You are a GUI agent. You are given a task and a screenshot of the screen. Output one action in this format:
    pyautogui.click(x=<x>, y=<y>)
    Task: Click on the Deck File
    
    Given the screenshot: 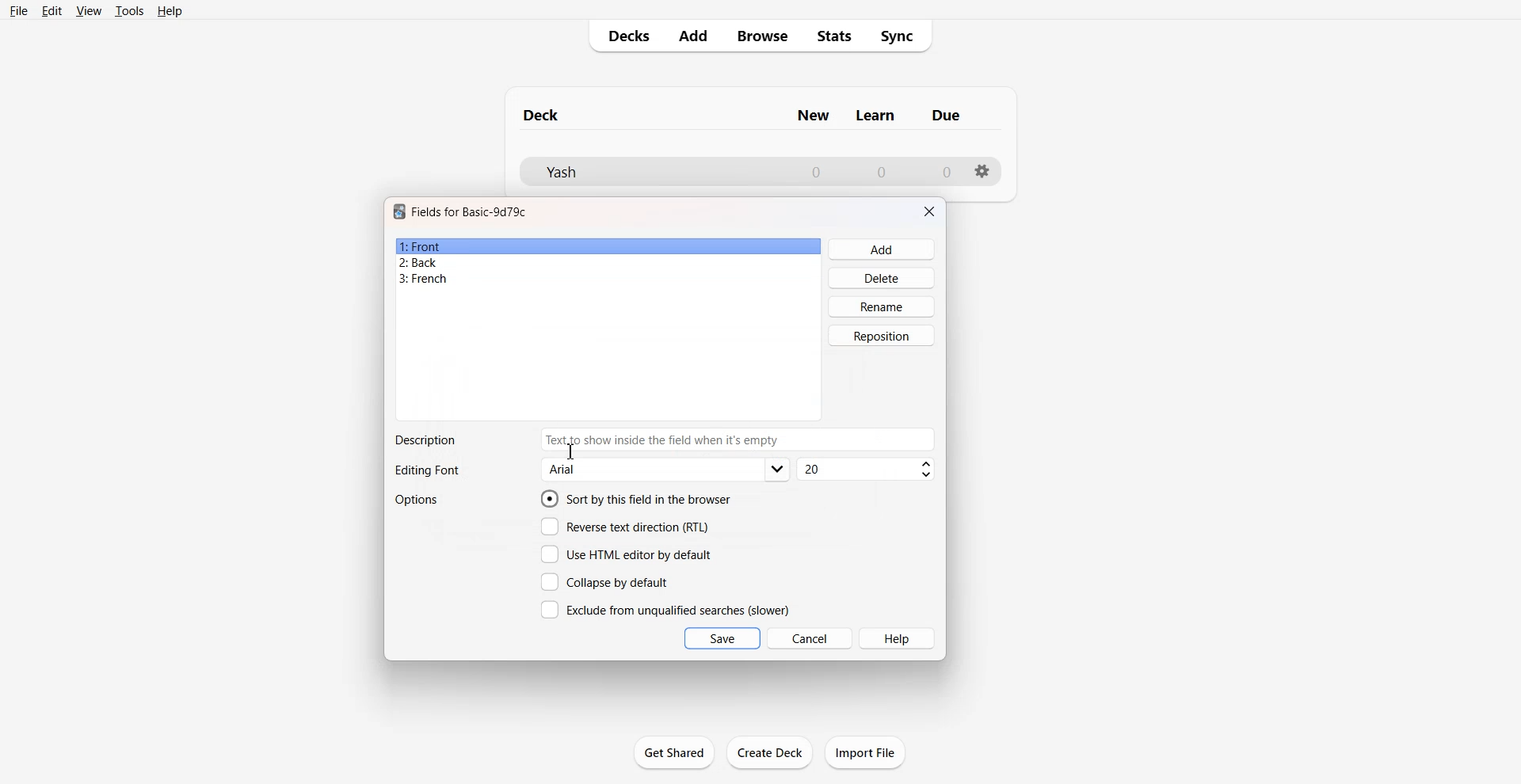 What is the action you would take?
    pyautogui.click(x=650, y=172)
    